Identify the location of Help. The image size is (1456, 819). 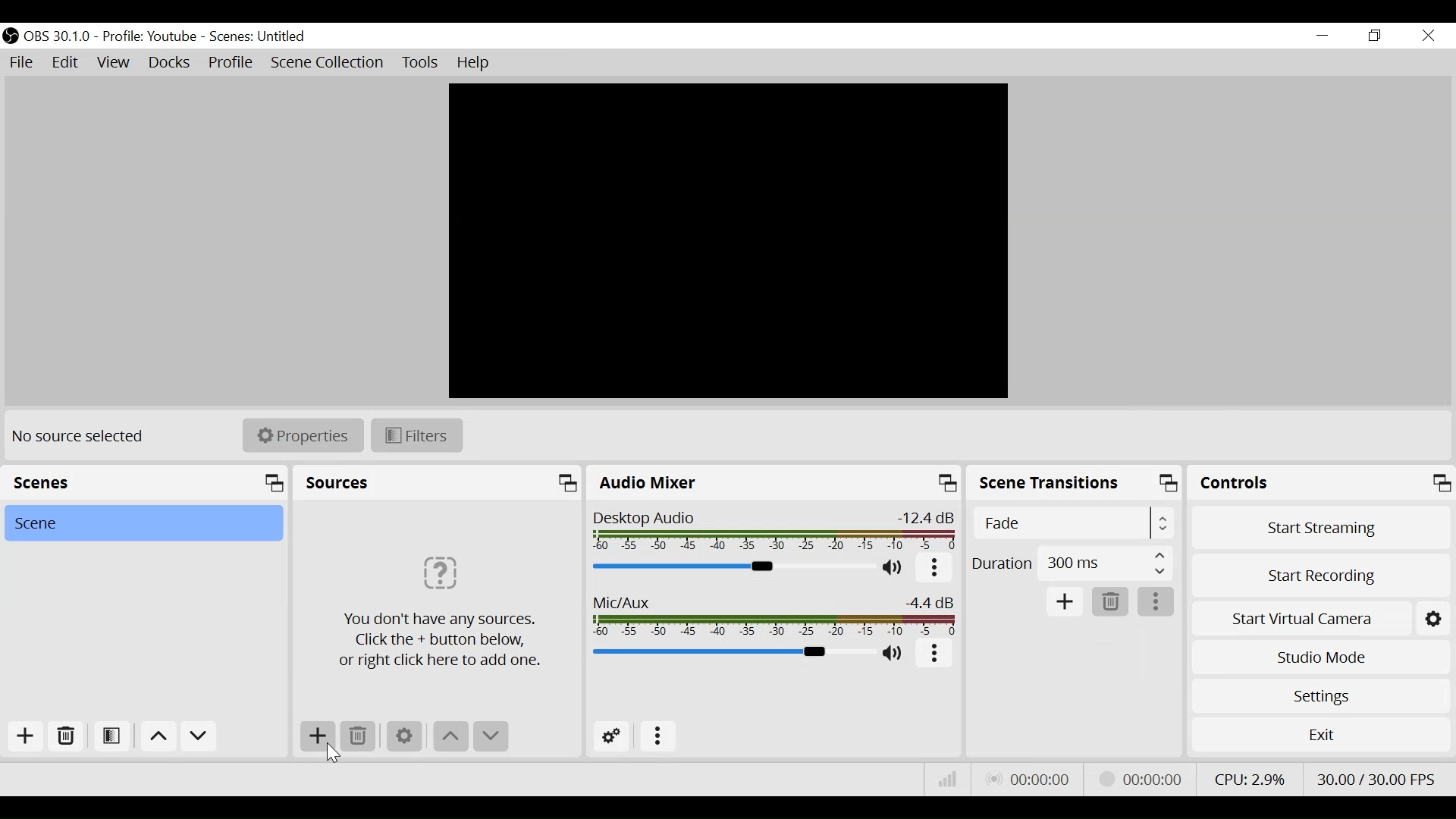
(479, 62).